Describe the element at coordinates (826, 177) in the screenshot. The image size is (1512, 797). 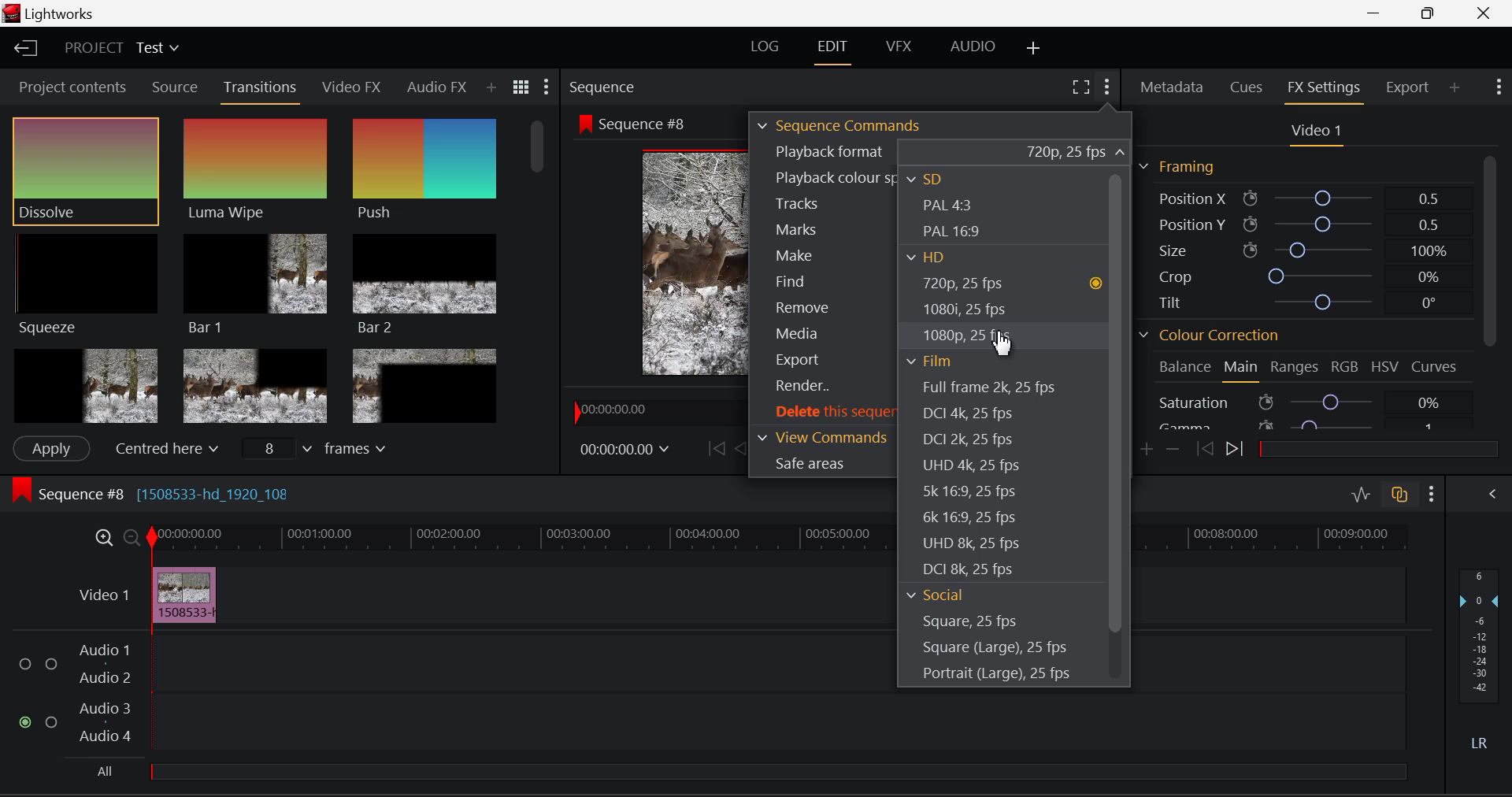
I see `Playback color space` at that location.